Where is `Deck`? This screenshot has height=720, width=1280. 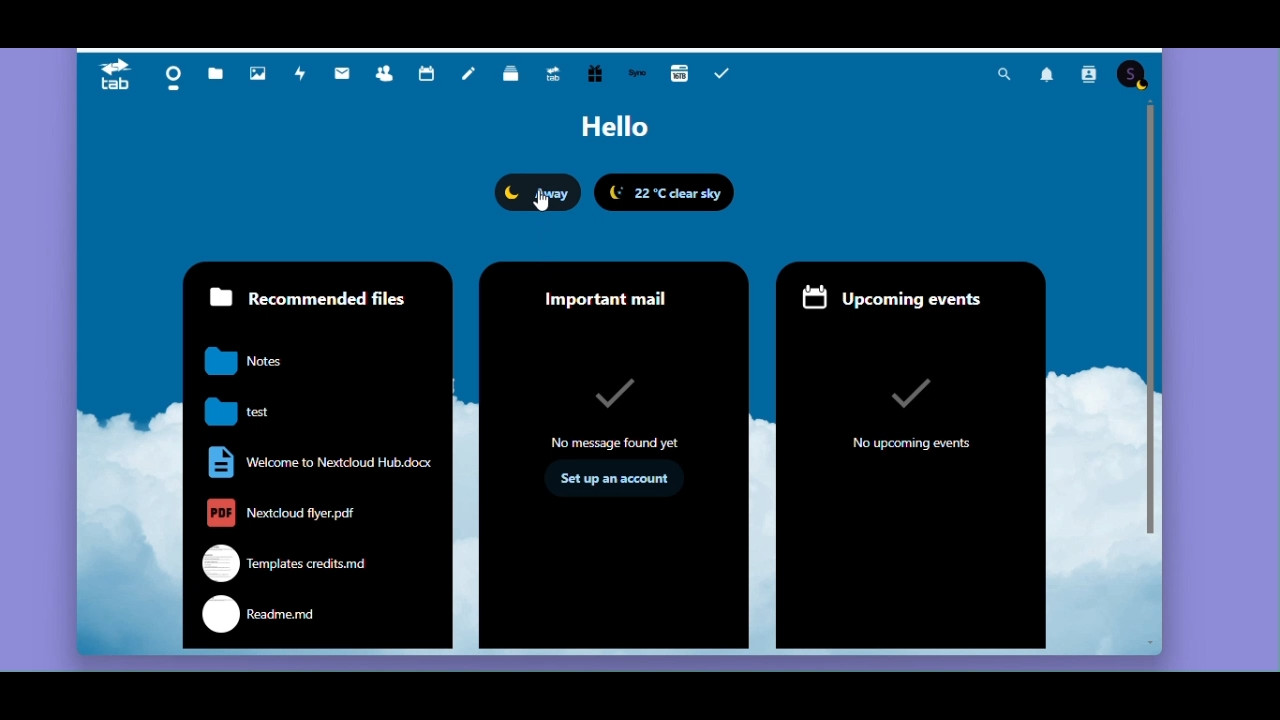 Deck is located at coordinates (513, 76).